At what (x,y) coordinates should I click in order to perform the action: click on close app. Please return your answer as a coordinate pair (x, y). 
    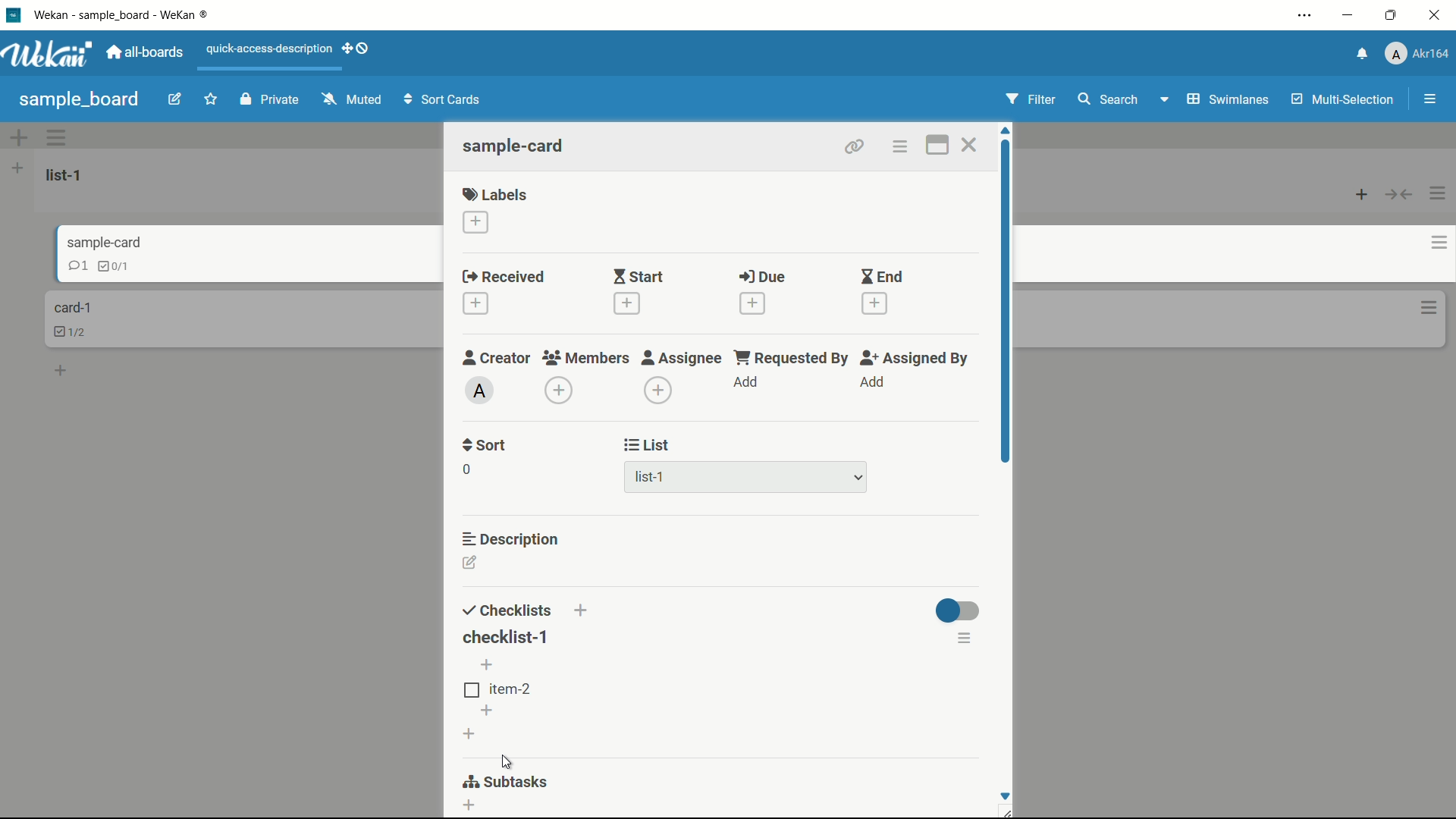
    Looking at the image, I should click on (1434, 15).